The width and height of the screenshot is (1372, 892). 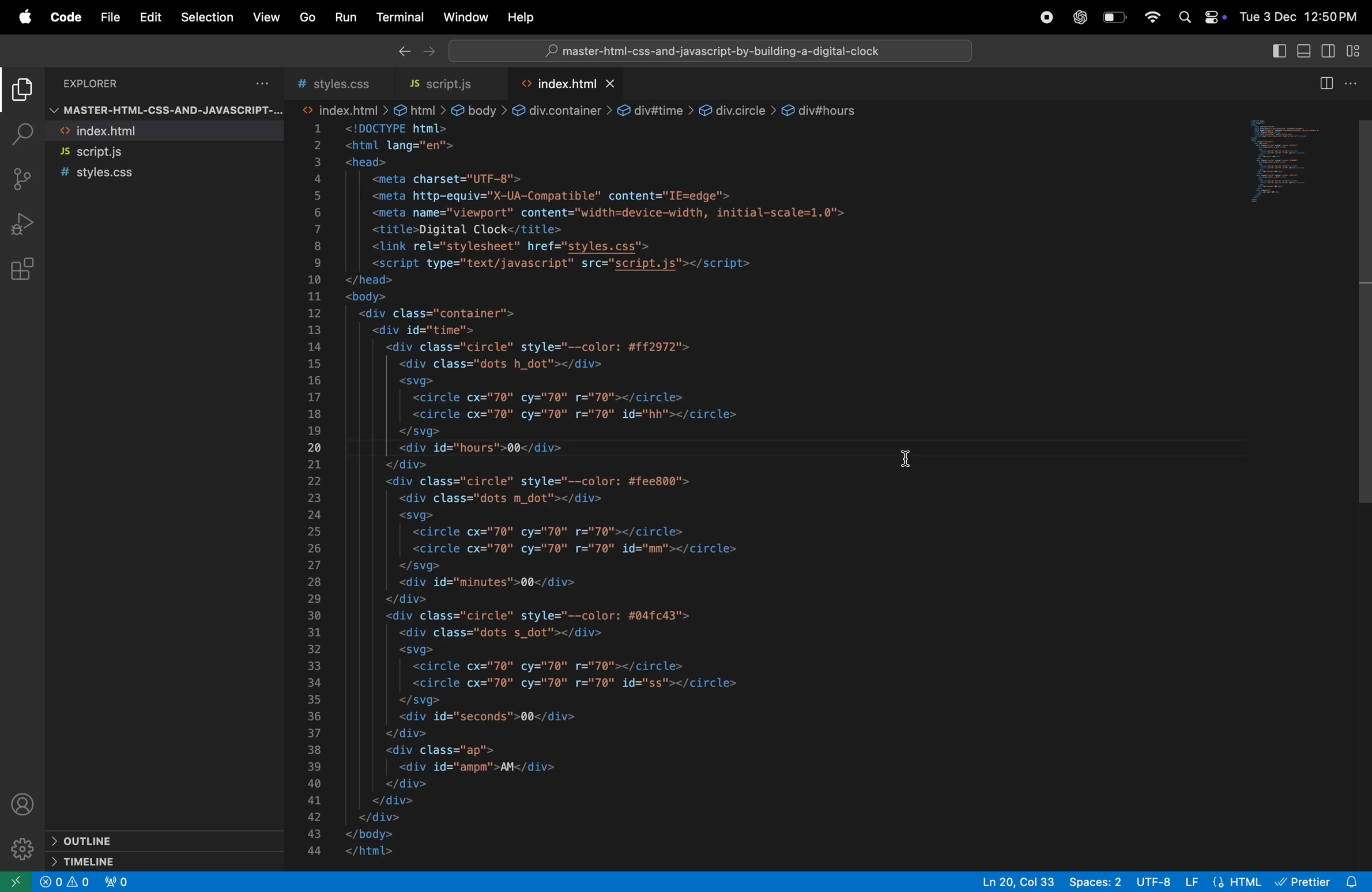 What do you see at coordinates (1329, 83) in the screenshot?
I see `split editor` at bounding box center [1329, 83].